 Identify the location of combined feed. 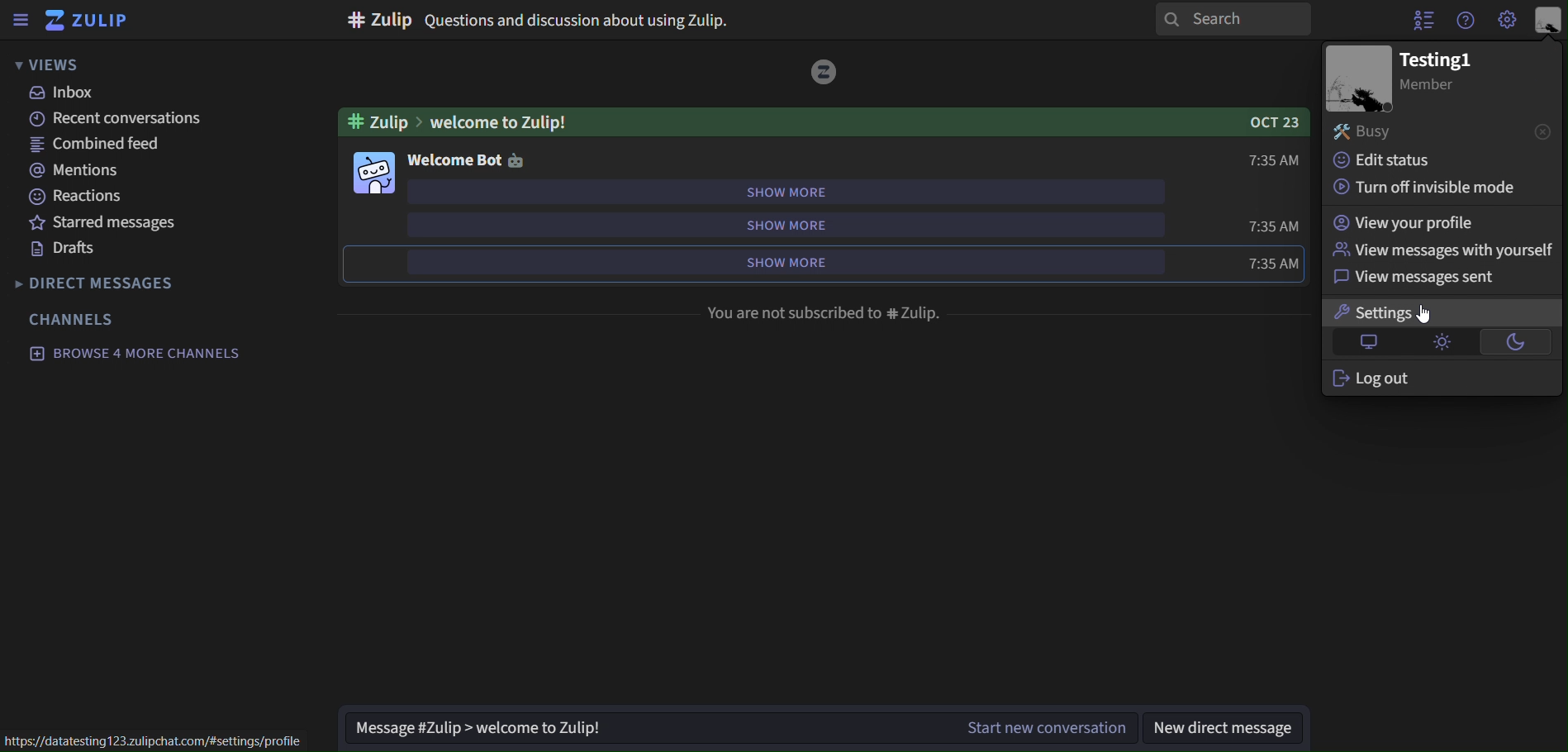
(93, 143).